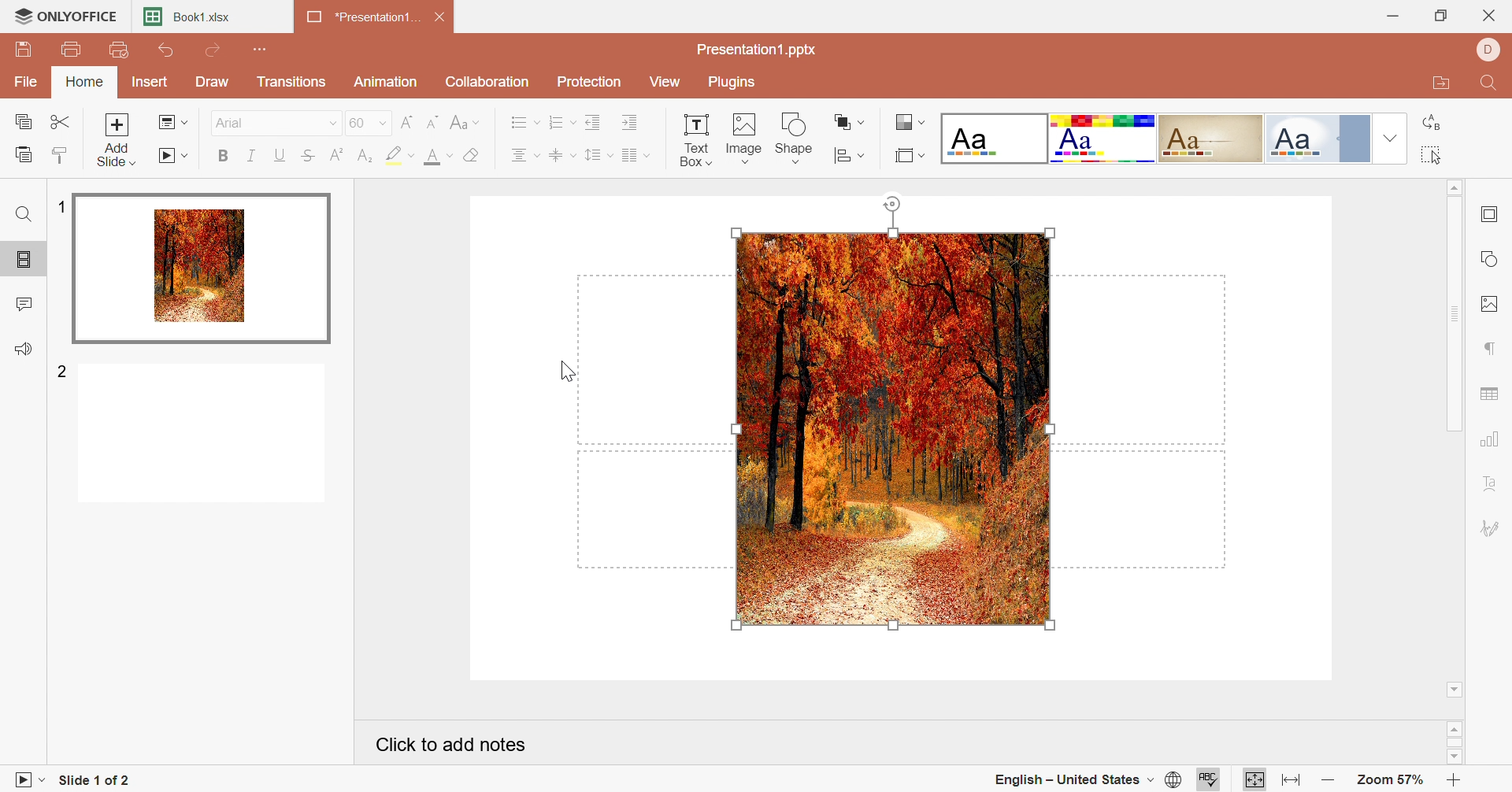 This screenshot has width=1512, height=792. What do you see at coordinates (118, 50) in the screenshot?
I see `Print Preview` at bounding box center [118, 50].